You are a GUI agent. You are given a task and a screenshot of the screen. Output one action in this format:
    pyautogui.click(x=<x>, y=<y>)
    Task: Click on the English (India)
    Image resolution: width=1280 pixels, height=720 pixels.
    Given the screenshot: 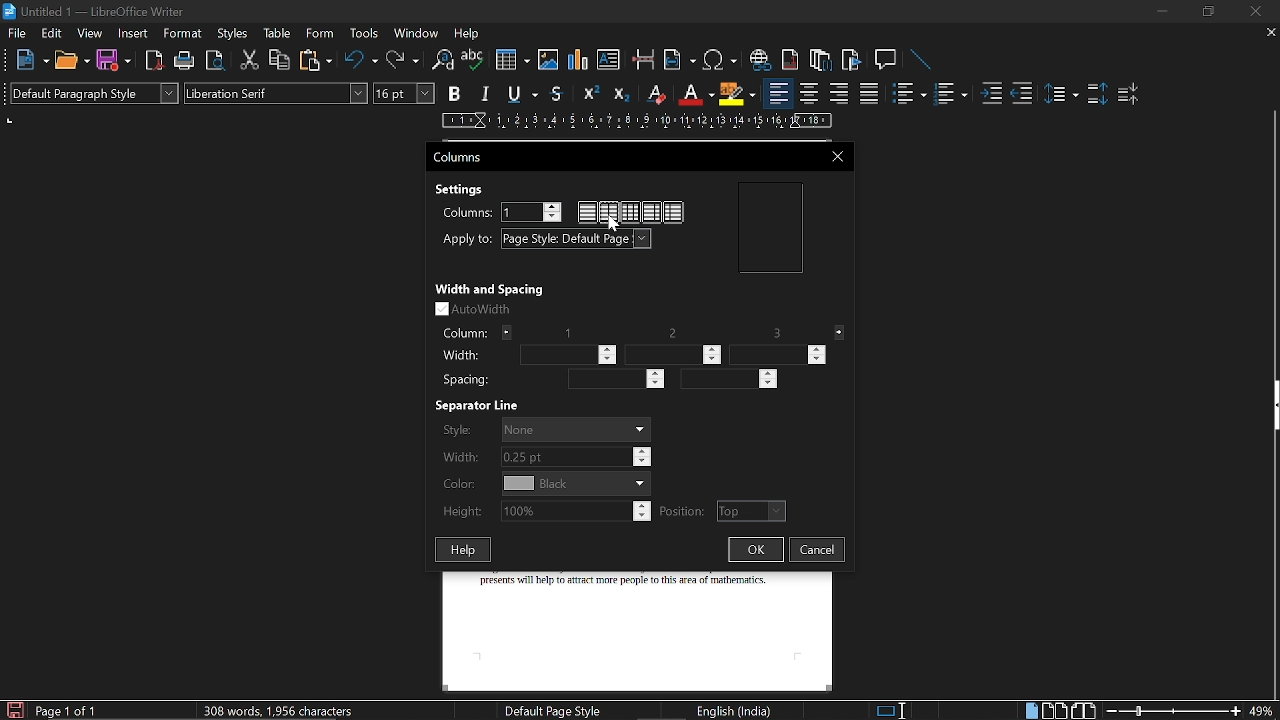 What is the action you would take?
    pyautogui.click(x=733, y=712)
    